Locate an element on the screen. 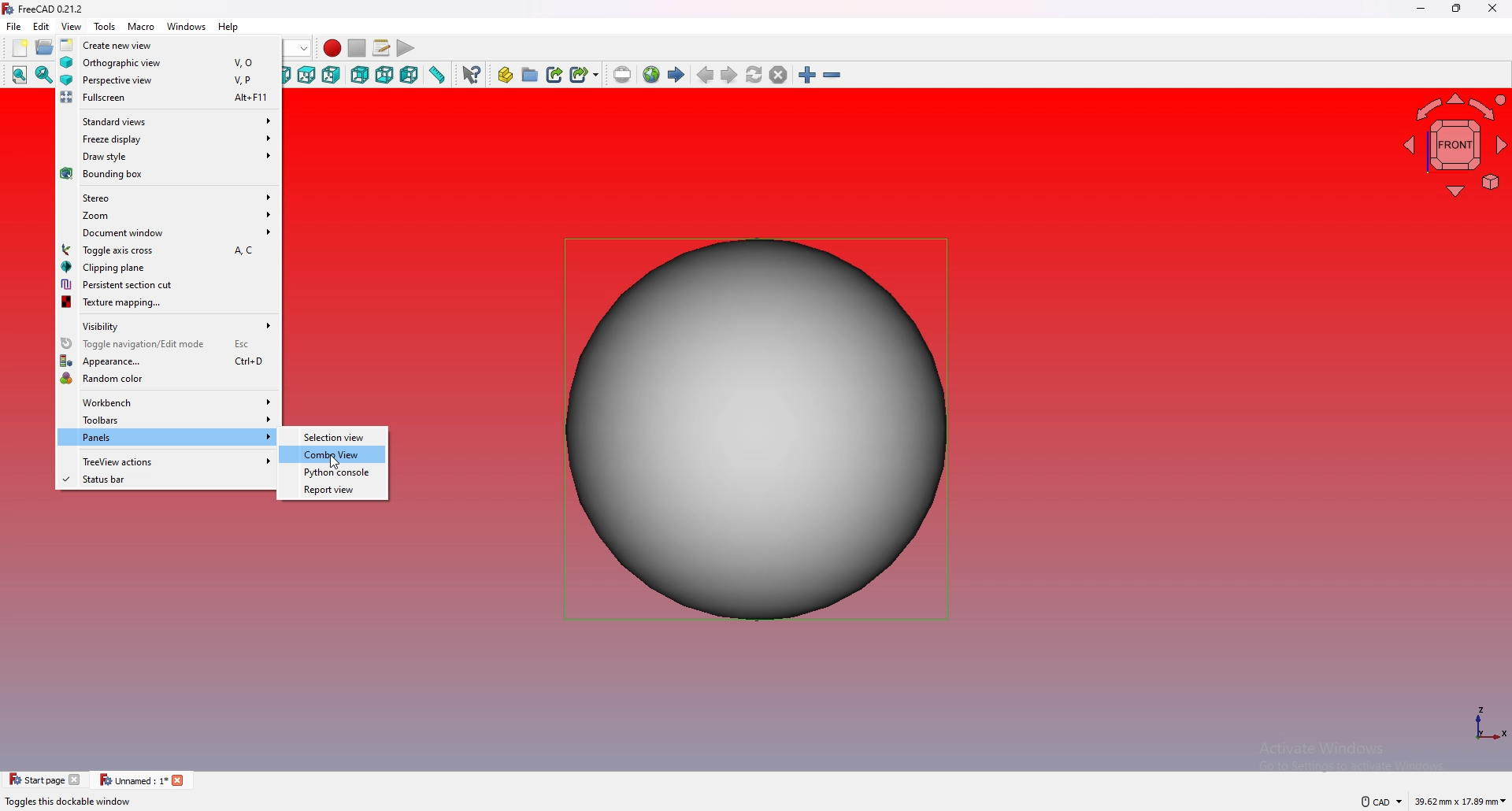 The width and height of the screenshot is (1512, 811). create part is located at coordinates (505, 75).